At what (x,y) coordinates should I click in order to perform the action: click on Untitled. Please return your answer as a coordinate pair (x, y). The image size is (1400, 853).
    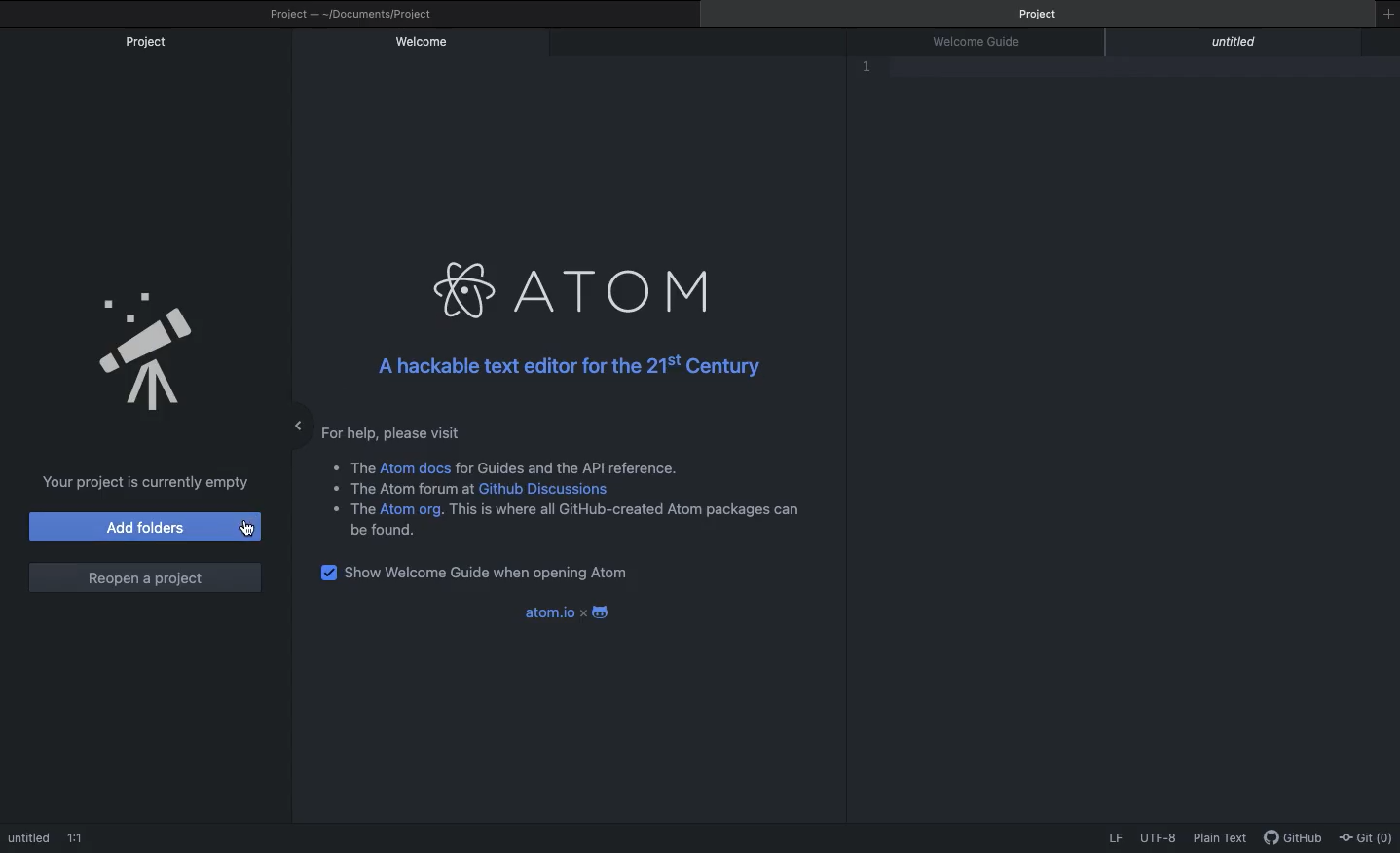
    Looking at the image, I should click on (1239, 44).